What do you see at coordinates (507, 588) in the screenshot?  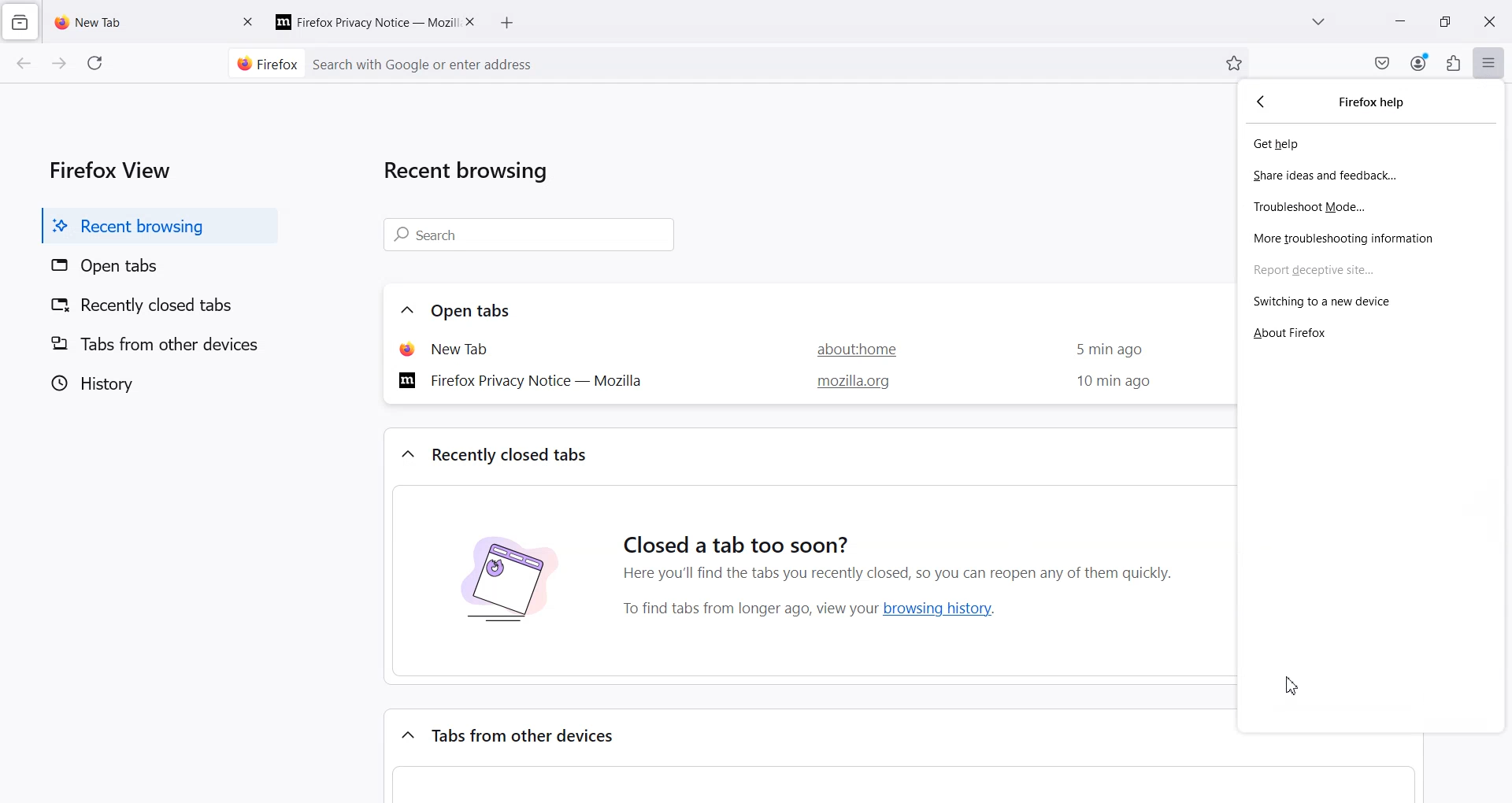 I see `image` at bounding box center [507, 588].